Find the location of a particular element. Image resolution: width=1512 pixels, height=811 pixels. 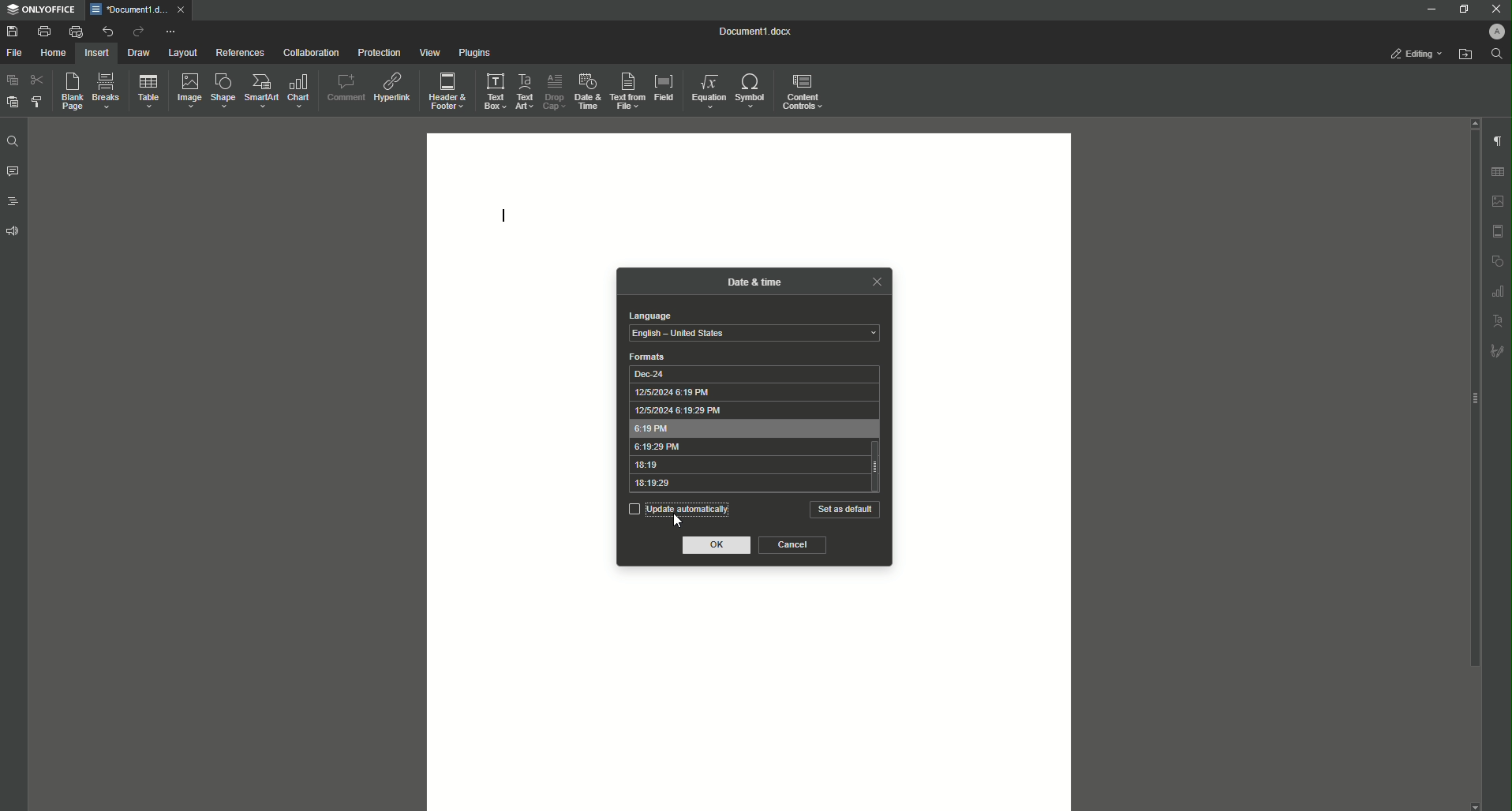

18:19:29 is located at coordinates (745, 484).